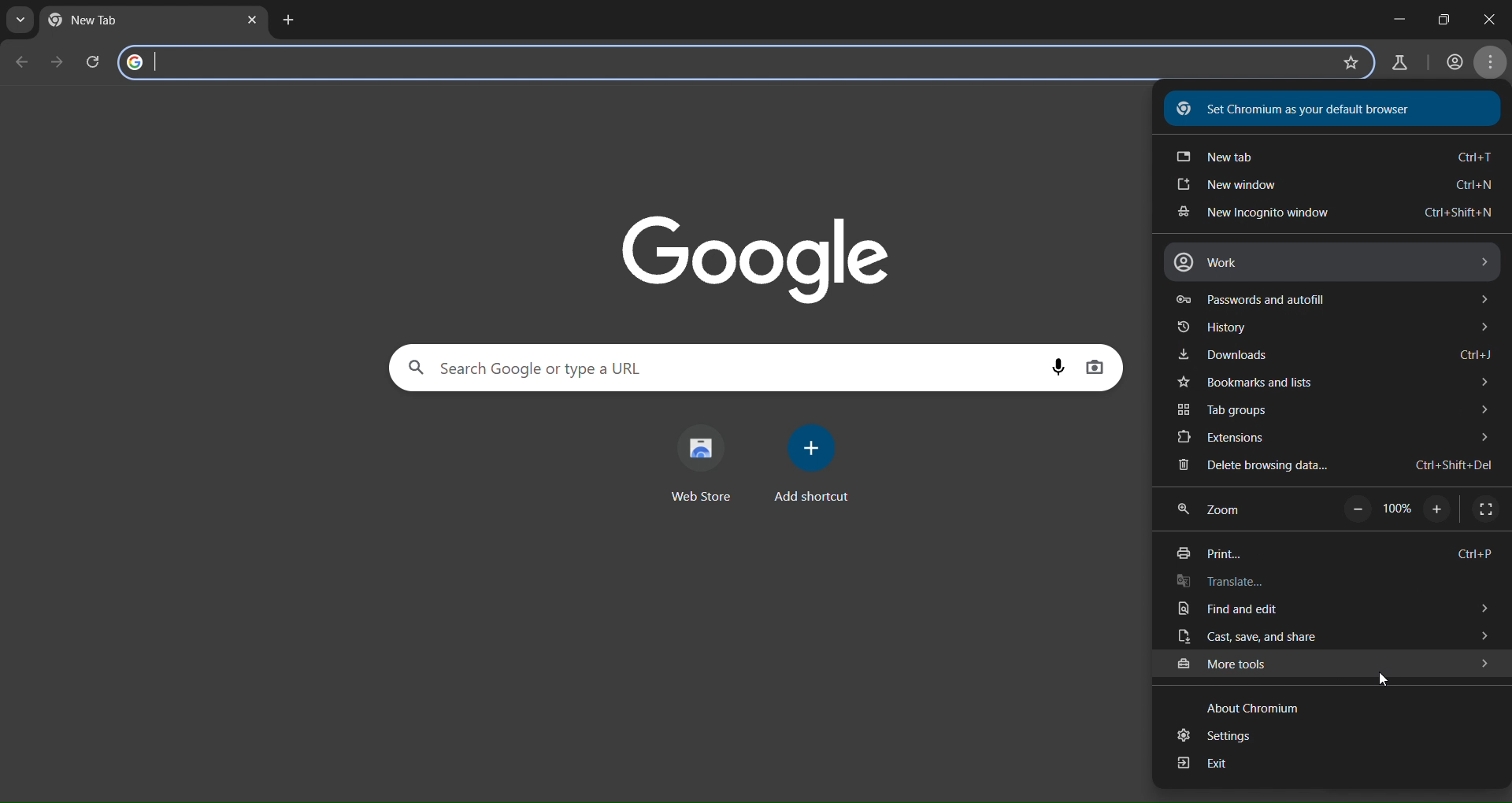 This screenshot has width=1512, height=803. What do you see at coordinates (1203, 765) in the screenshot?
I see `exit` at bounding box center [1203, 765].